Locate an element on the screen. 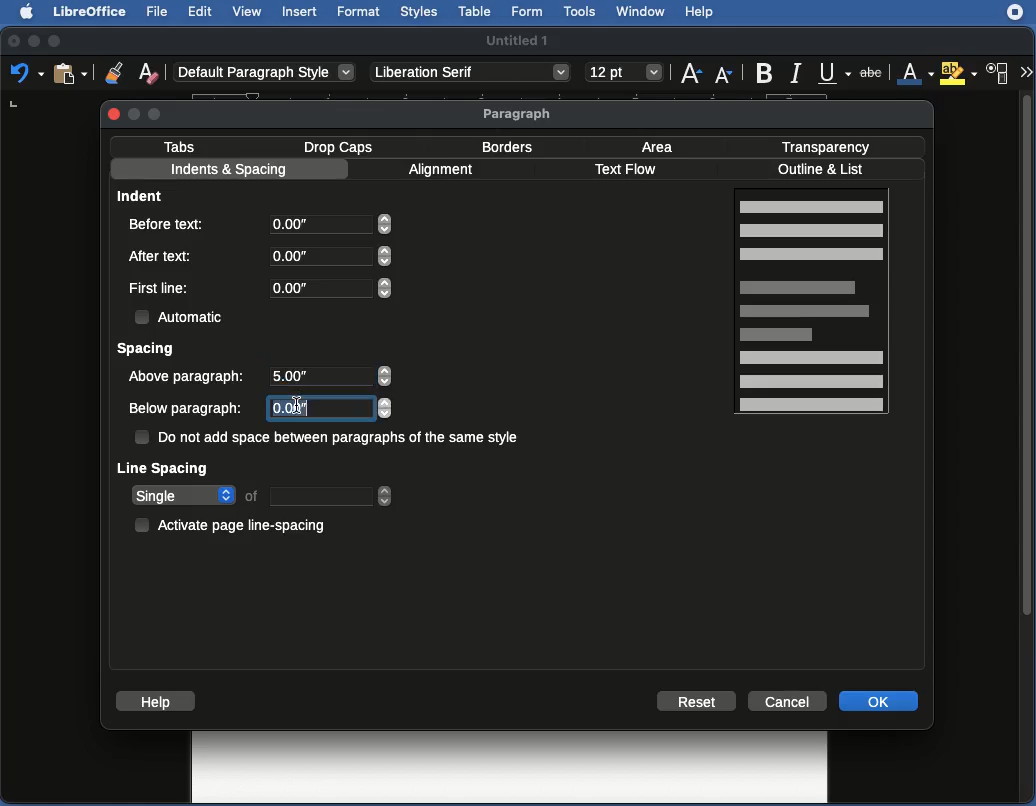 This screenshot has width=1036, height=806. Line spacing  is located at coordinates (164, 467).